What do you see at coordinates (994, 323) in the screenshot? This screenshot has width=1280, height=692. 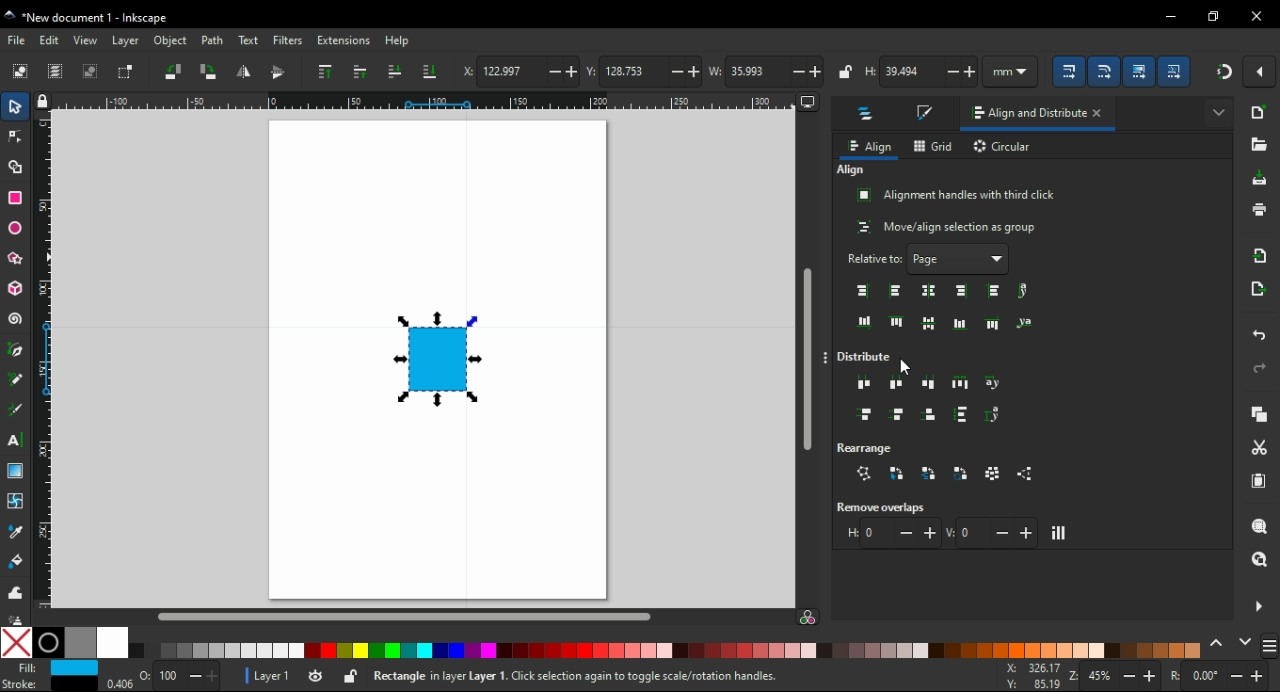 I see `align top edge of objects to bottom edge of anchor` at bounding box center [994, 323].